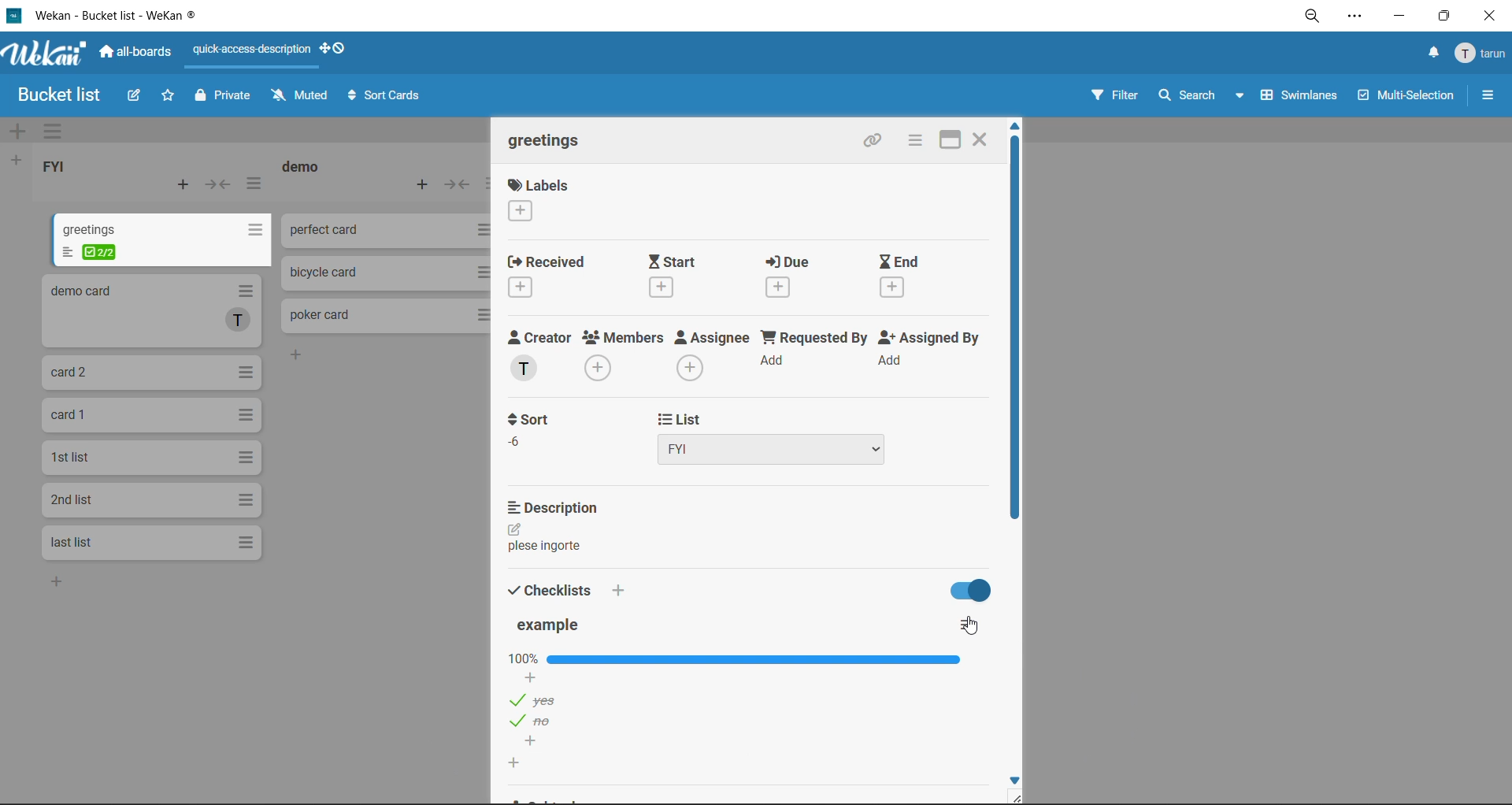 This screenshot has height=805, width=1512. Describe the element at coordinates (540, 357) in the screenshot. I see `creator` at that location.